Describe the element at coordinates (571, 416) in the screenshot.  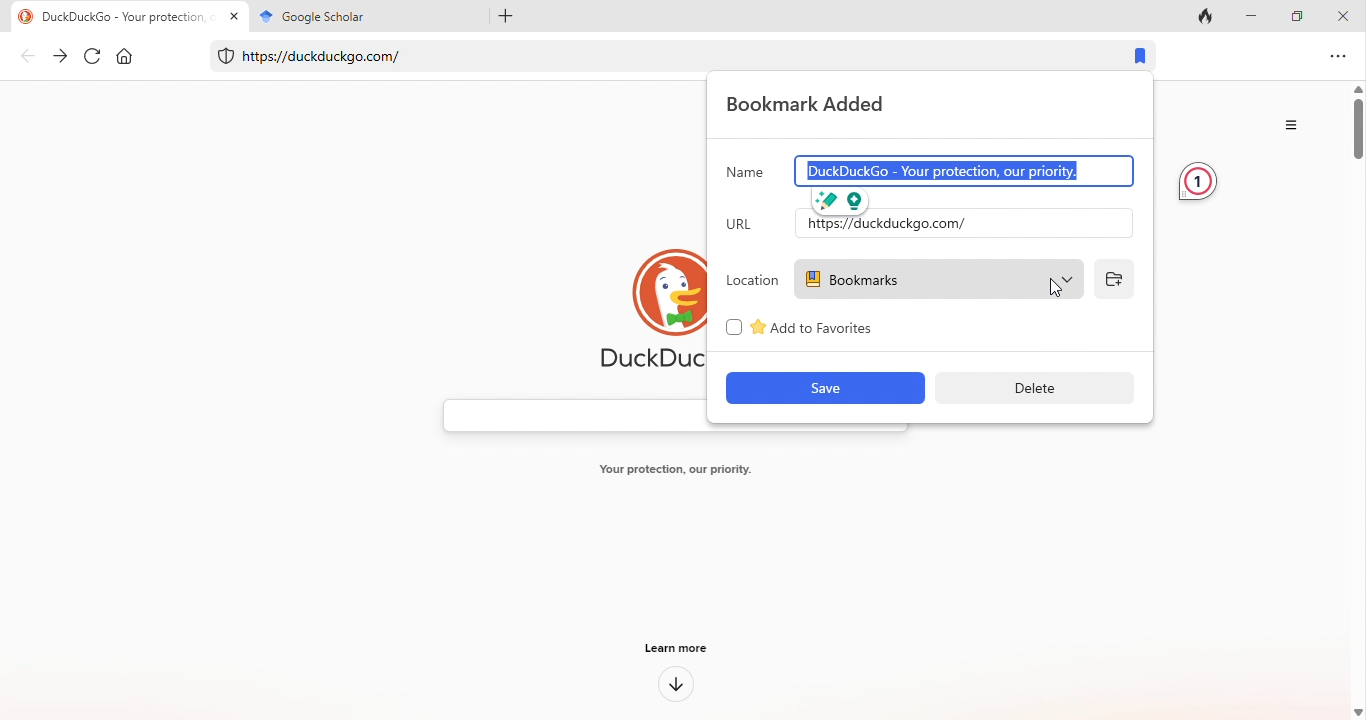
I see `search bar` at that location.